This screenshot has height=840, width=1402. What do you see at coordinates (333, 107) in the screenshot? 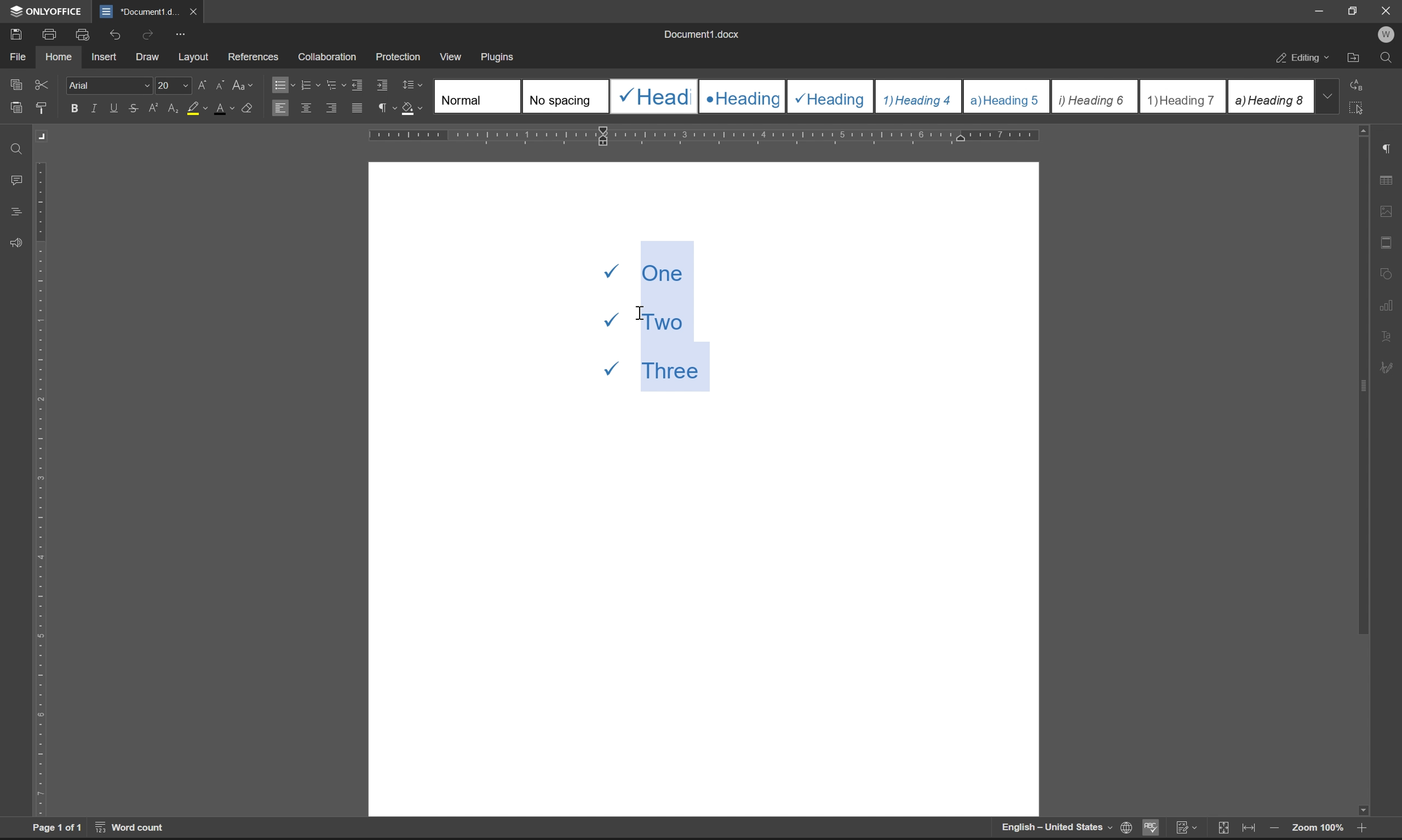
I see `align right` at bounding box center [333, 107].